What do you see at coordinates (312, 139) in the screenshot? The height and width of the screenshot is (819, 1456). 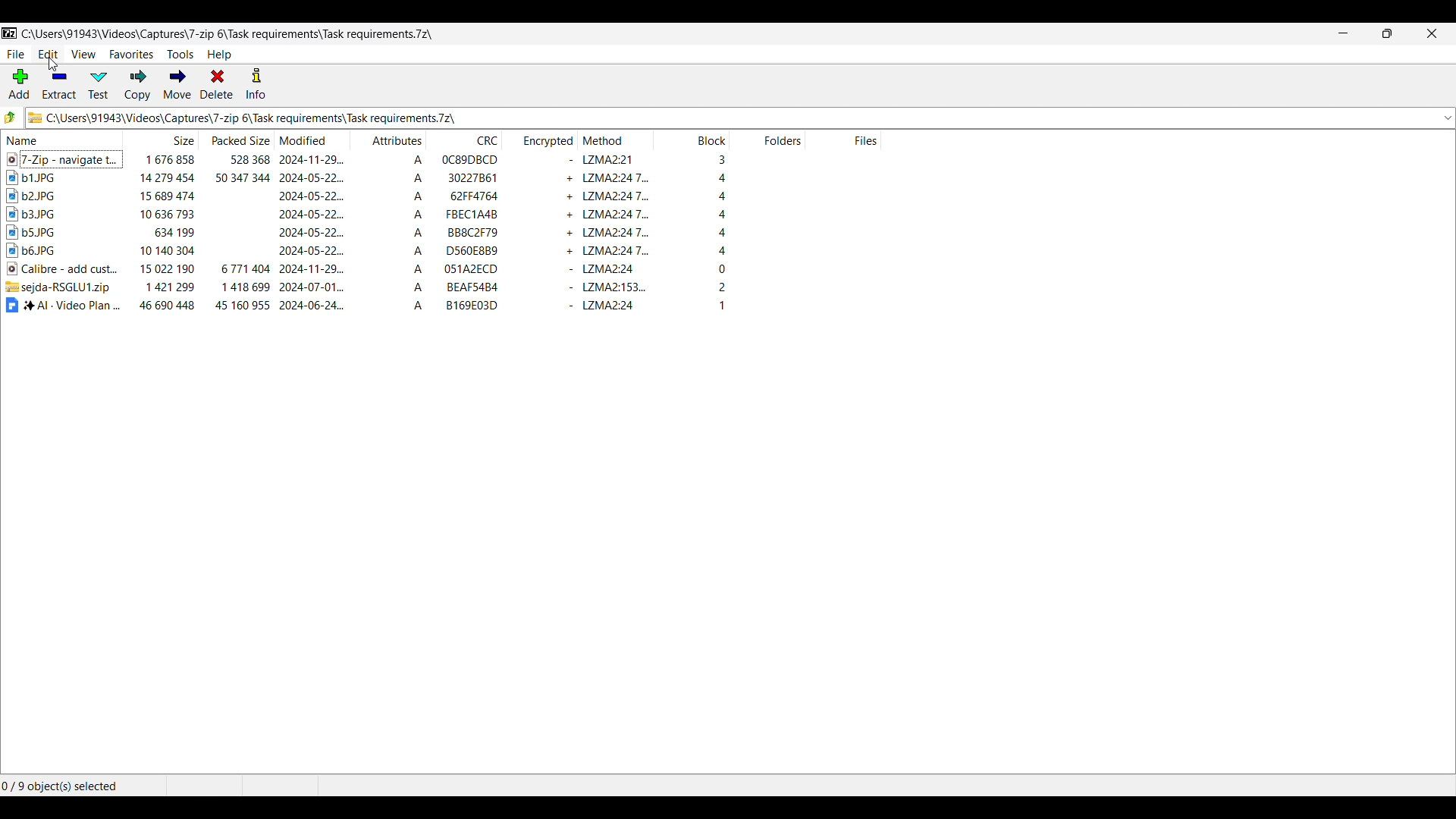 I see `Modified column` at bounding box center [312, 139].